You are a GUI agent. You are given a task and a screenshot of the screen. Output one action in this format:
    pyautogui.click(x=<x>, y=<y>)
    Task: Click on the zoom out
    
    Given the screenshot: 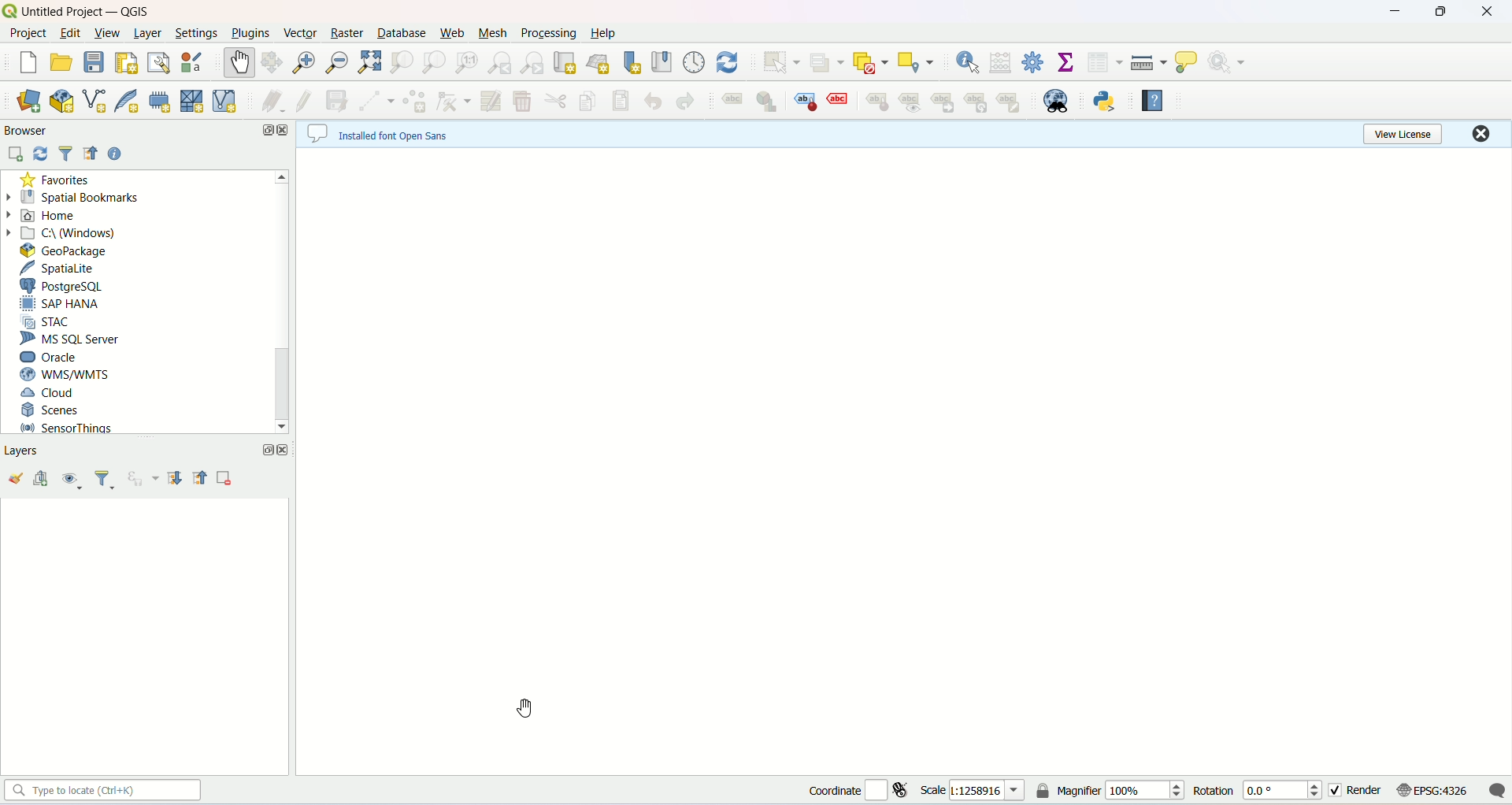 What is the action you would take?
    pyautogui.click(x=336, y=63)
    